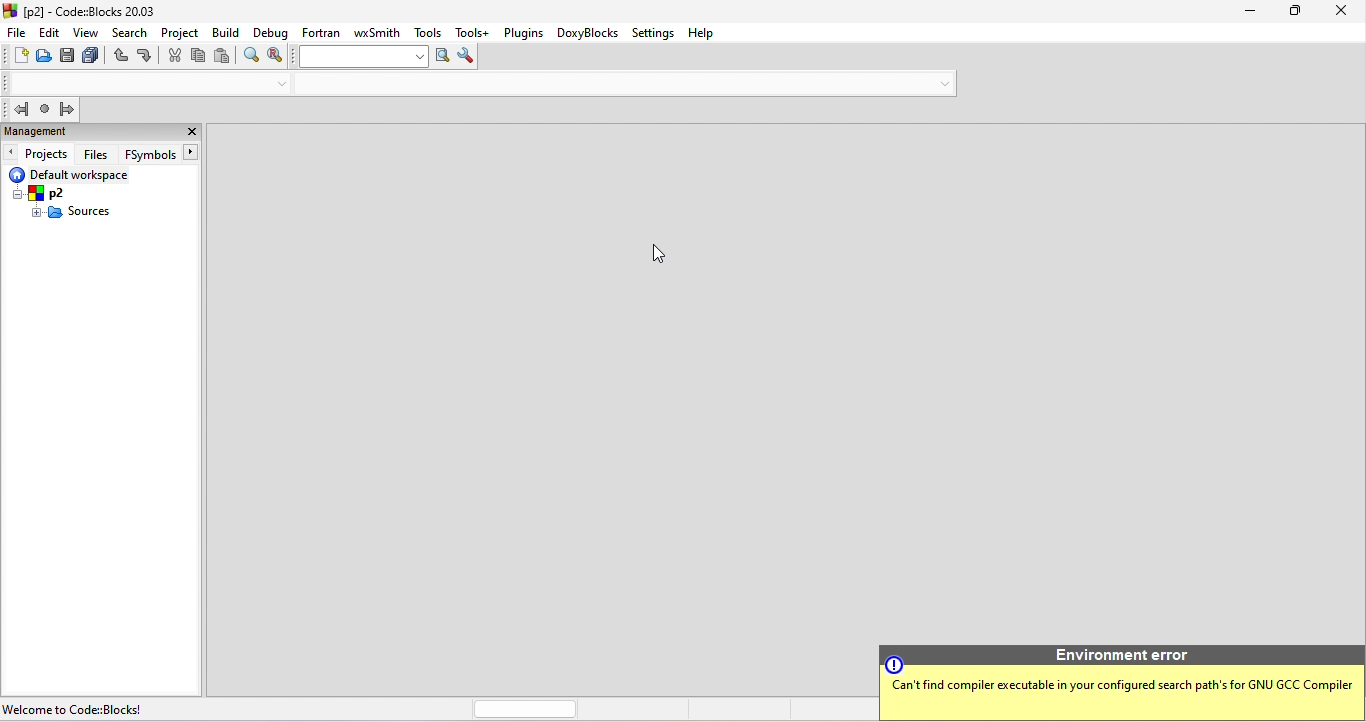  What do you see at coordinates (89, 34) in the screenshot?
I see `view` at bounding box center [89, 34].